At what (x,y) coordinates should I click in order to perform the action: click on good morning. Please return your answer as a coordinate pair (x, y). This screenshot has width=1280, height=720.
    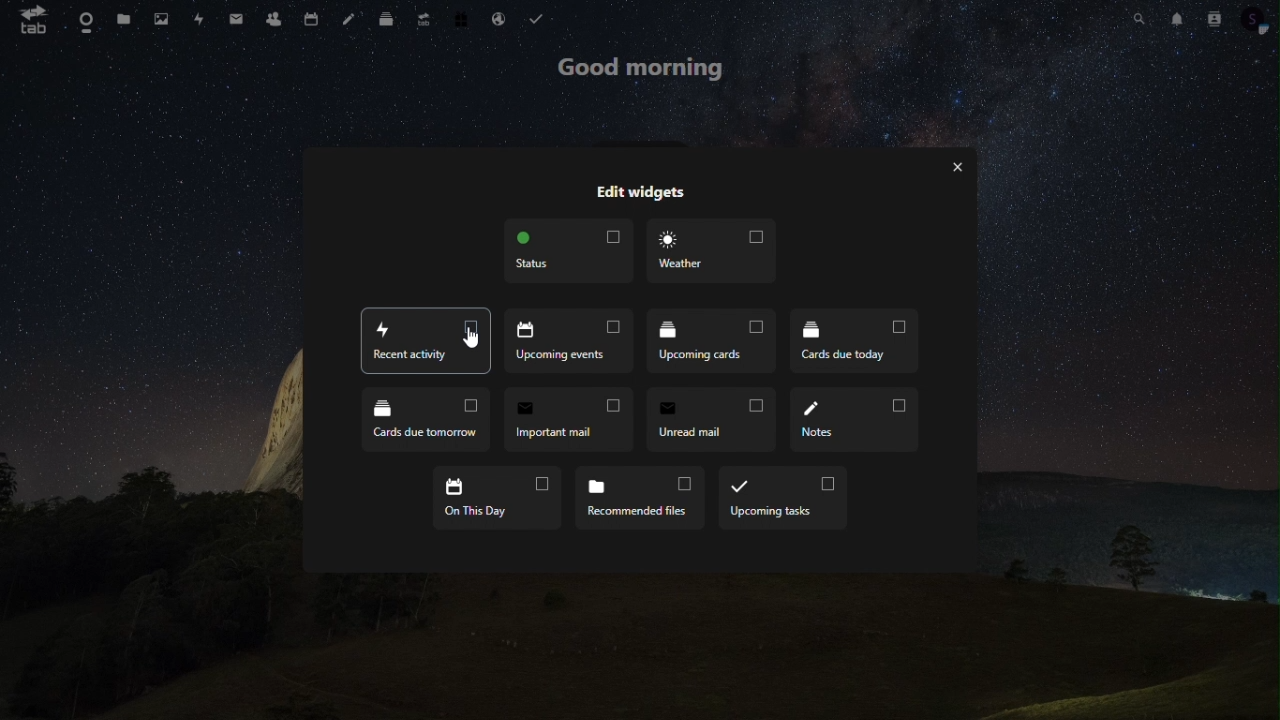
    Looking at the image, I should click on (644, 67).